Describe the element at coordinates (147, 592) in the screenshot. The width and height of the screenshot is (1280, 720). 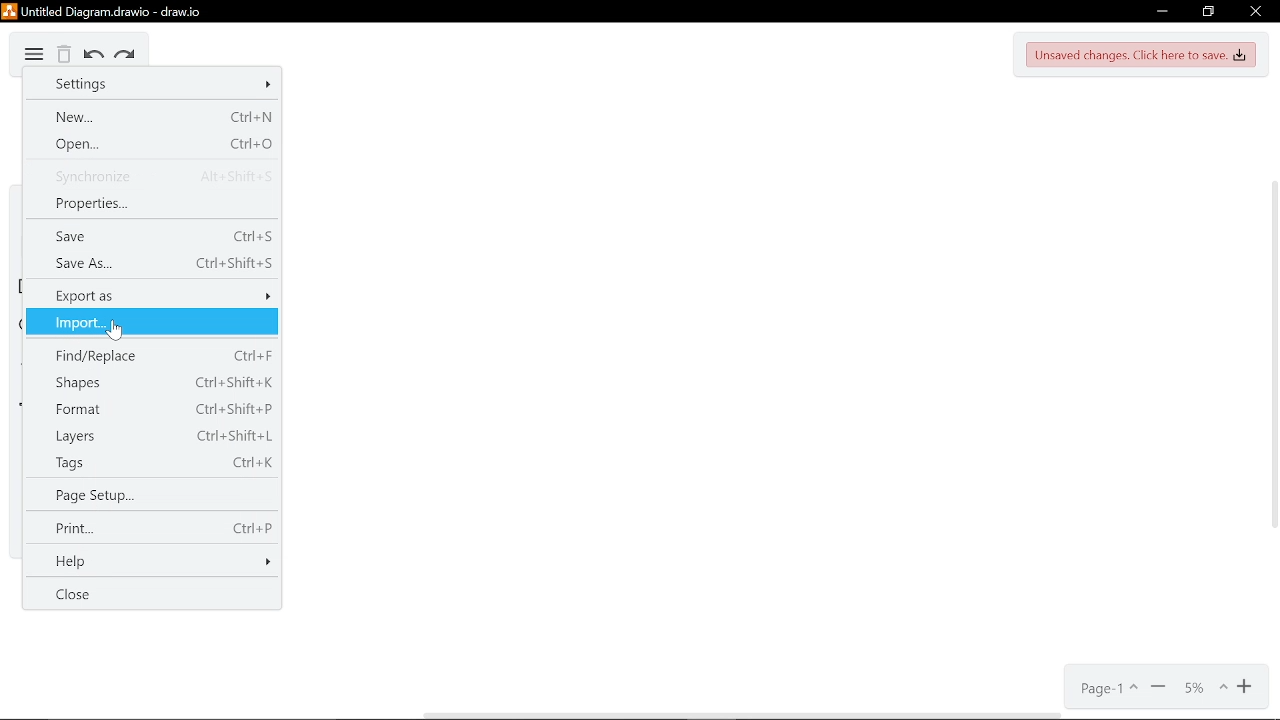
I see `Close` at that location.